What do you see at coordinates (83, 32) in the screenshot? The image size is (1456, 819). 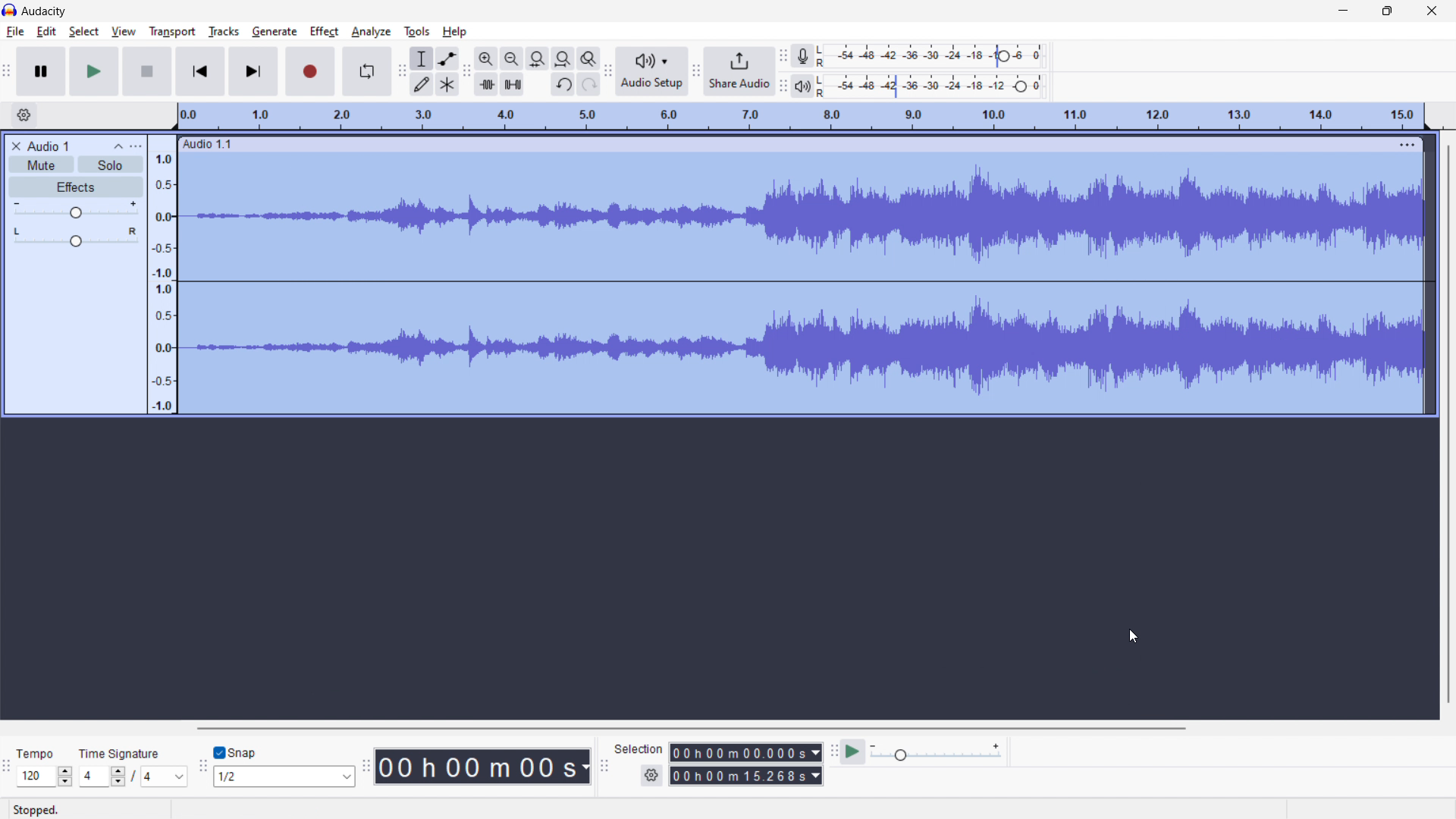 I see `select` at bounding box center [83, 32].